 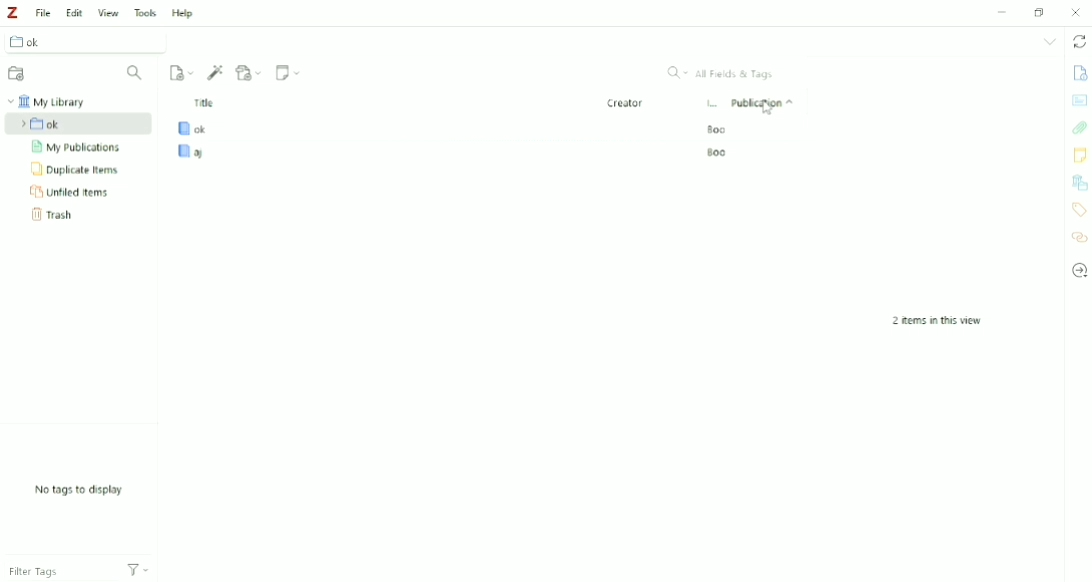 What do you see at coordinates (625, 103) in the screenshot?
I see `Creator` at bounding box center [625, 103].